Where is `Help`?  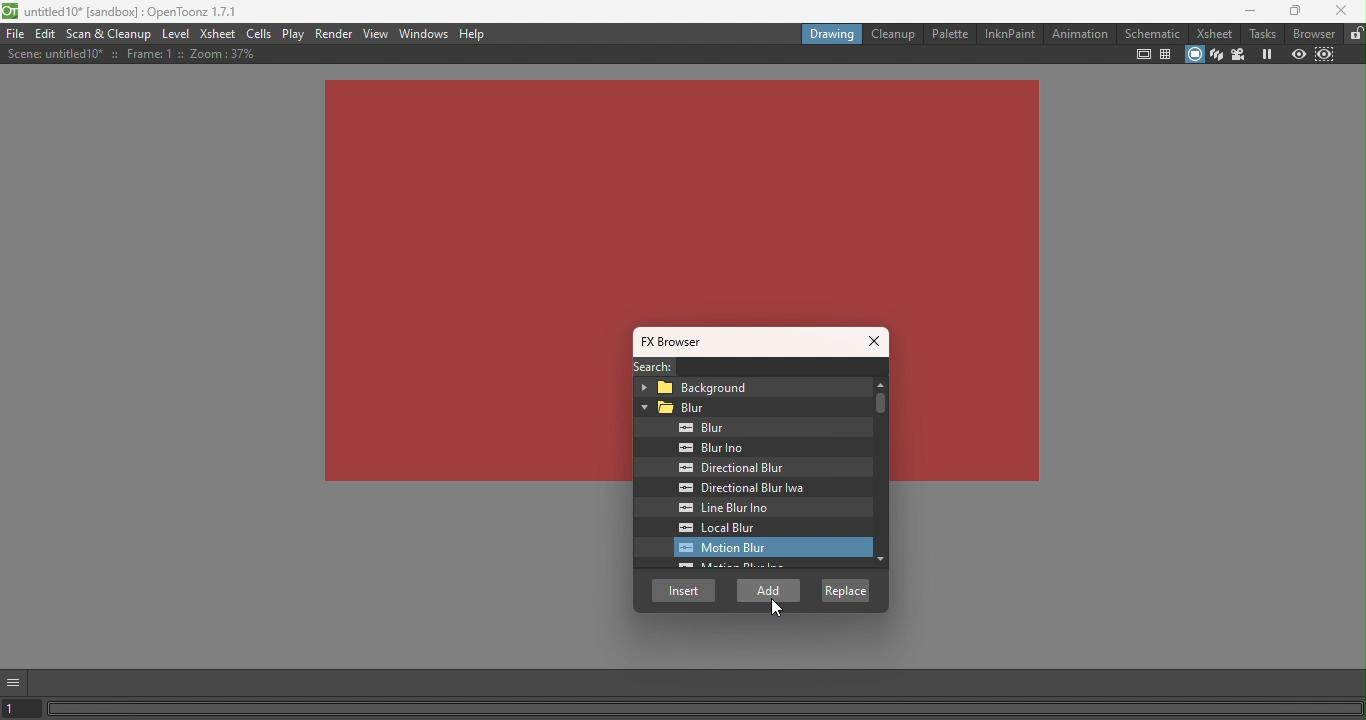
Help is located at coordinates (472, 34).